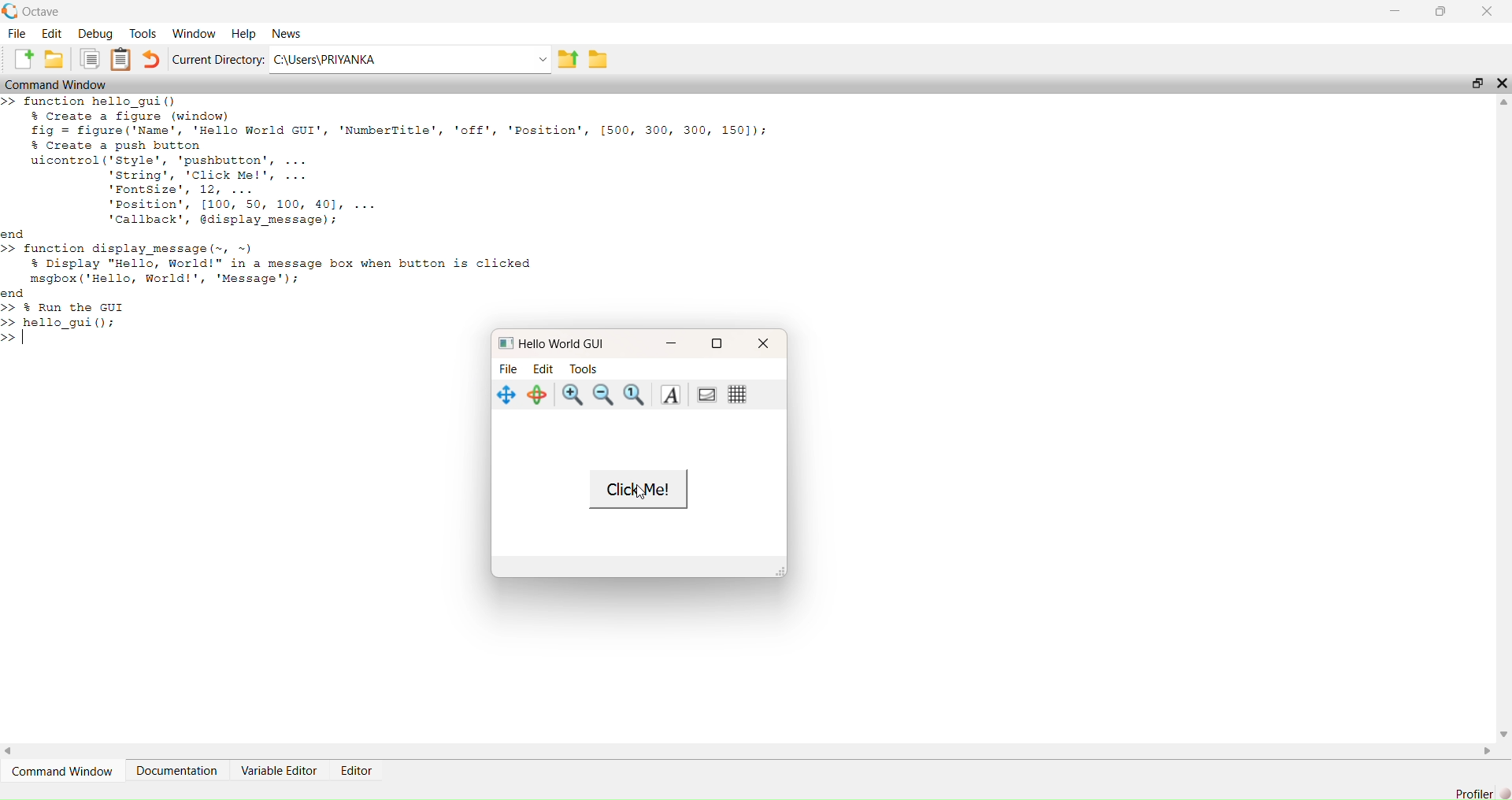  I want to click on Octave, so click(35, 9).